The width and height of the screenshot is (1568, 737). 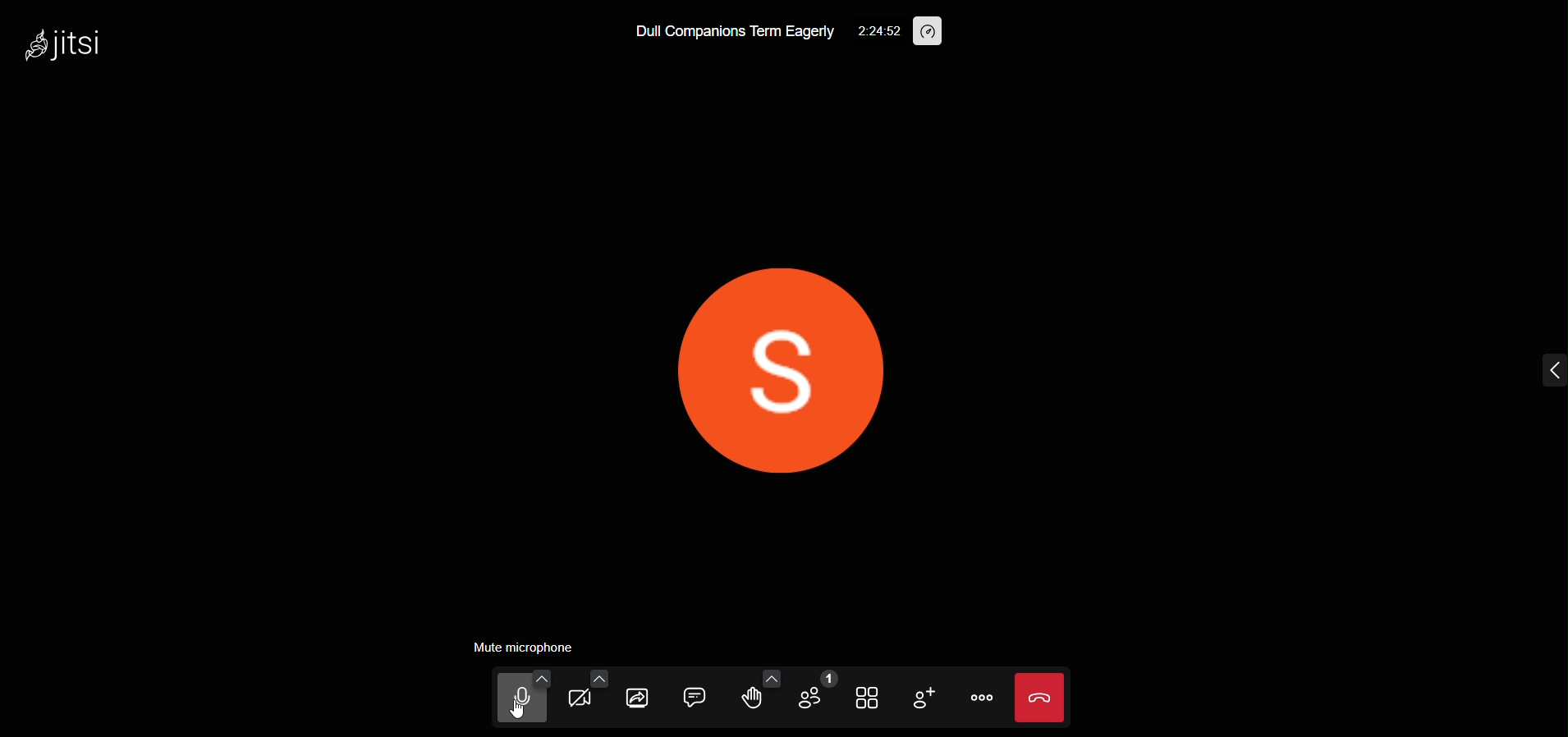 What do you see at coordinates (814, 695) in the screenshot?
I see `participants` at bounding box center [814, 695].